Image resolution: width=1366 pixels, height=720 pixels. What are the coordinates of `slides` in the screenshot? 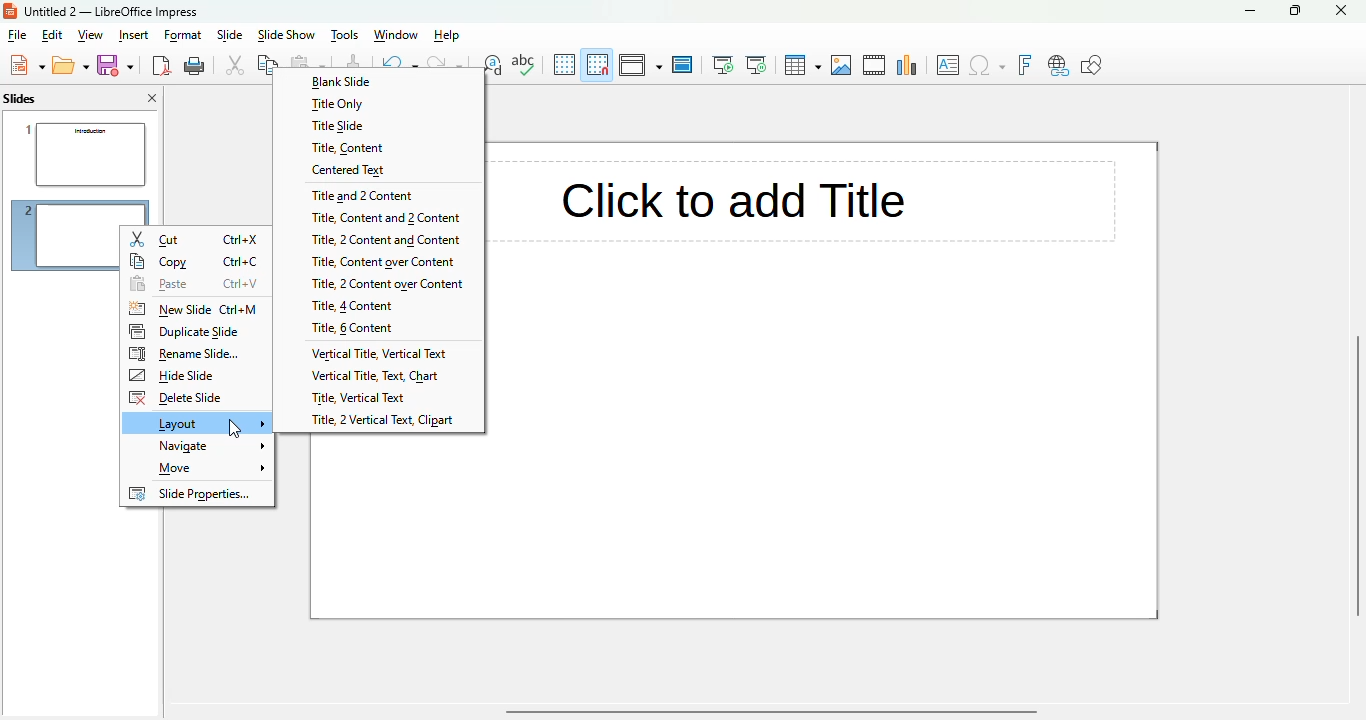 It's located at (20, 98).